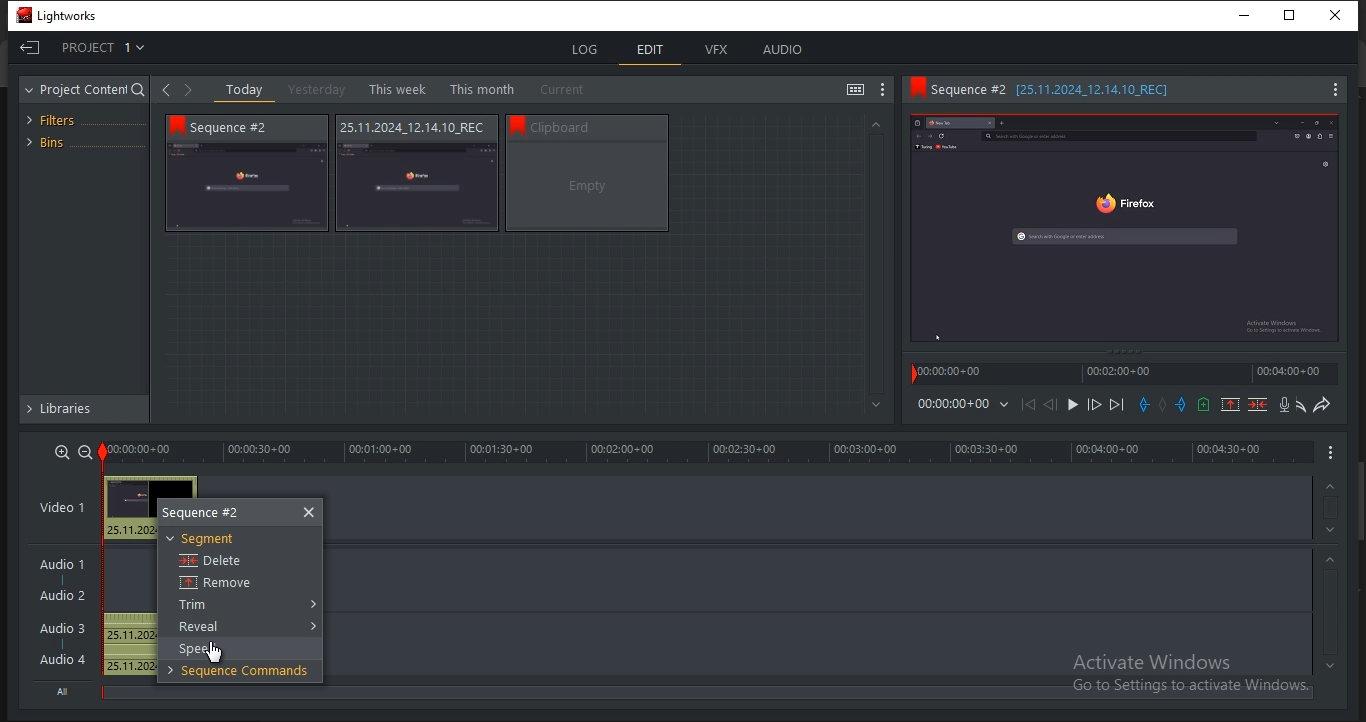  Describe the element at coordinates (215, 654) in the screenshot. I see `Selection cursor` at that location.